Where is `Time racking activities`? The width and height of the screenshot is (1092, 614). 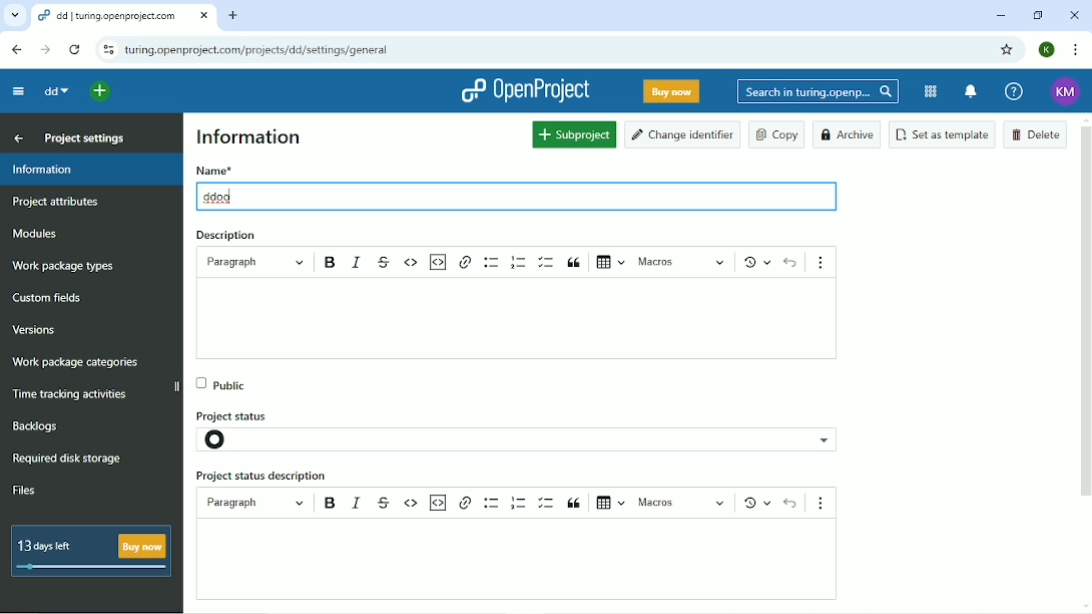 Time racking activities is located at coordinates (72, 395).